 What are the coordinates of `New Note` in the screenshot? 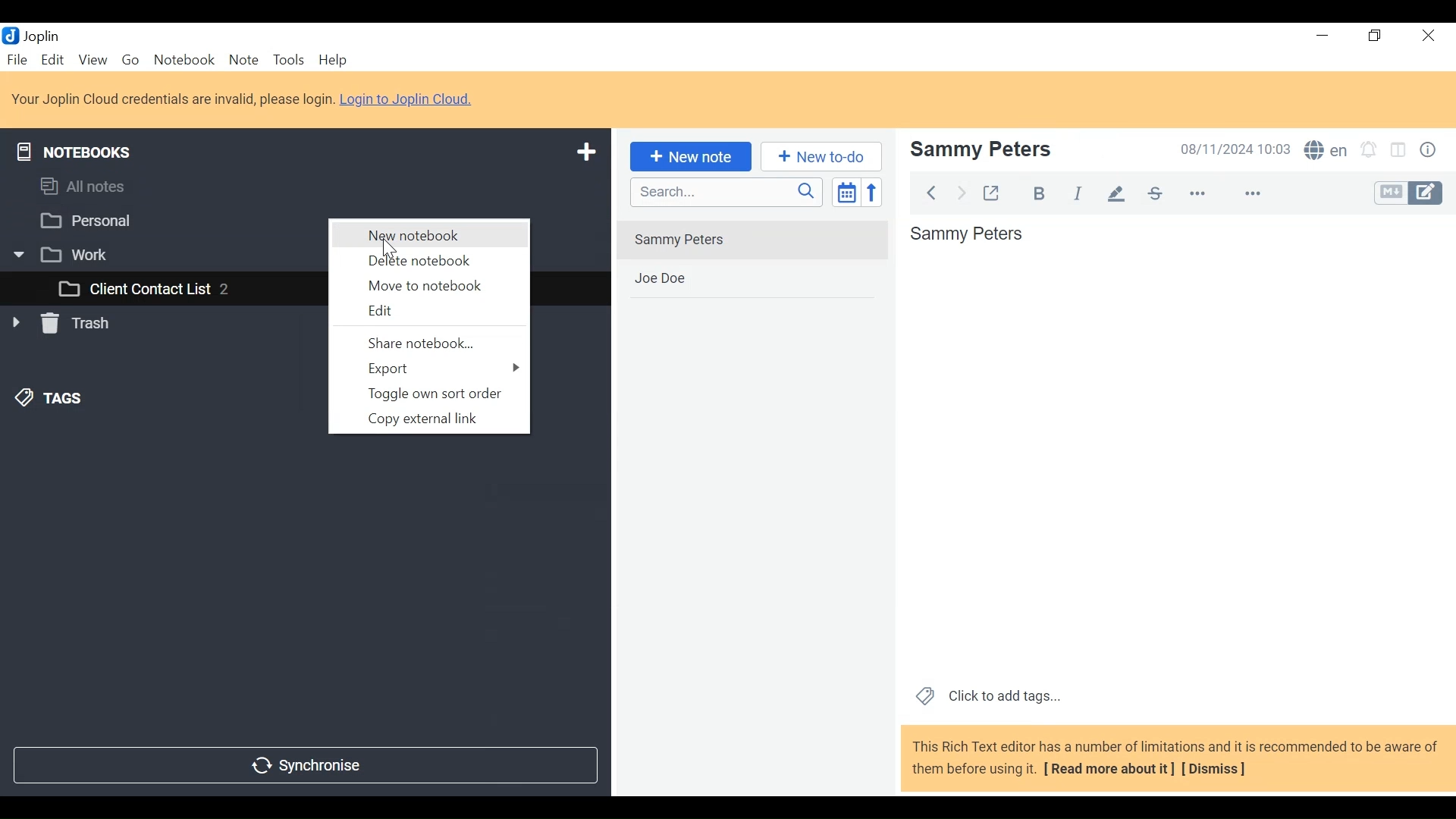 It's located at (691, 156).